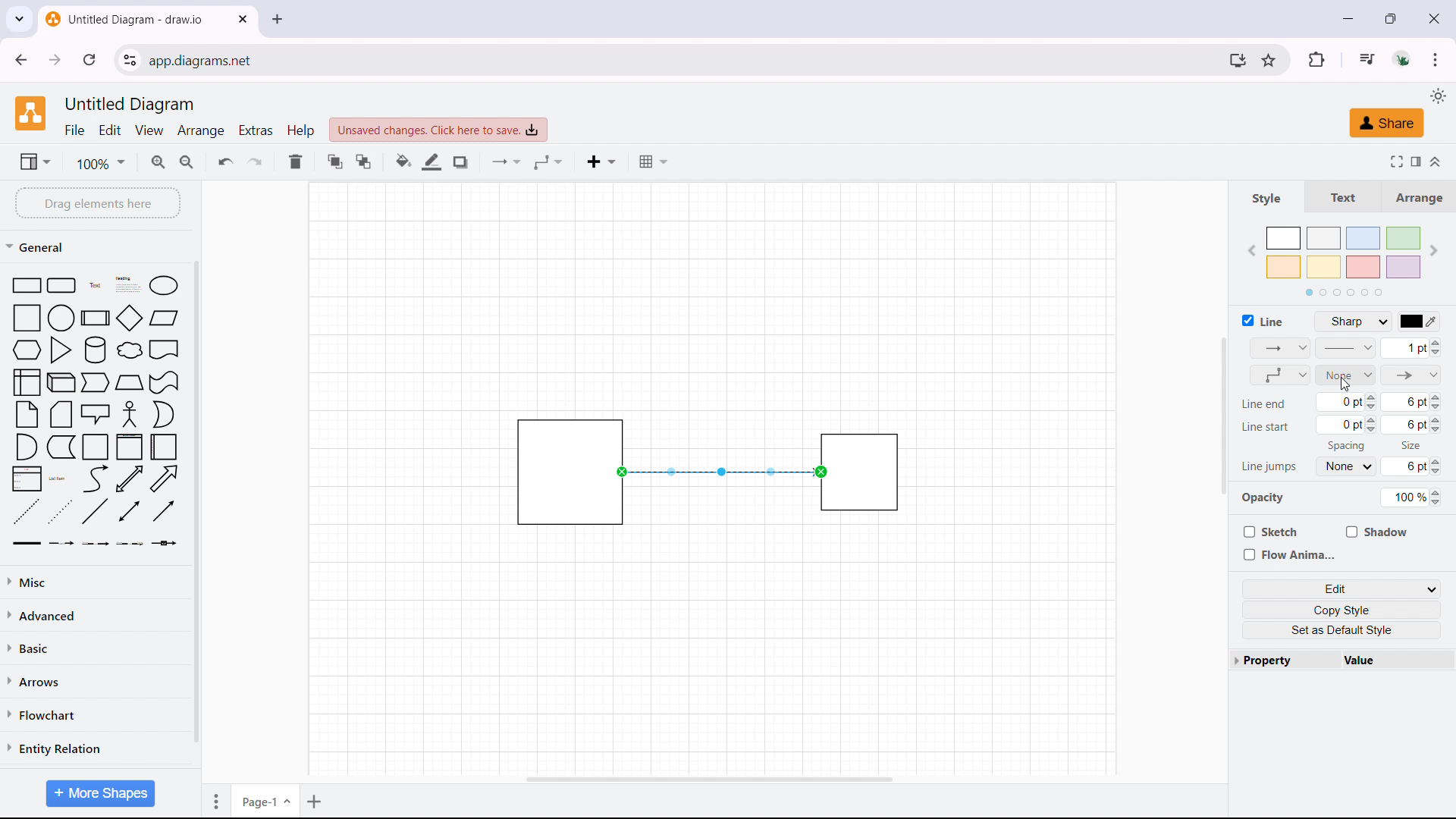 Image resolution: width=1456 pixels, height=819 pixels. I want to click on insert, so click(601, 162).